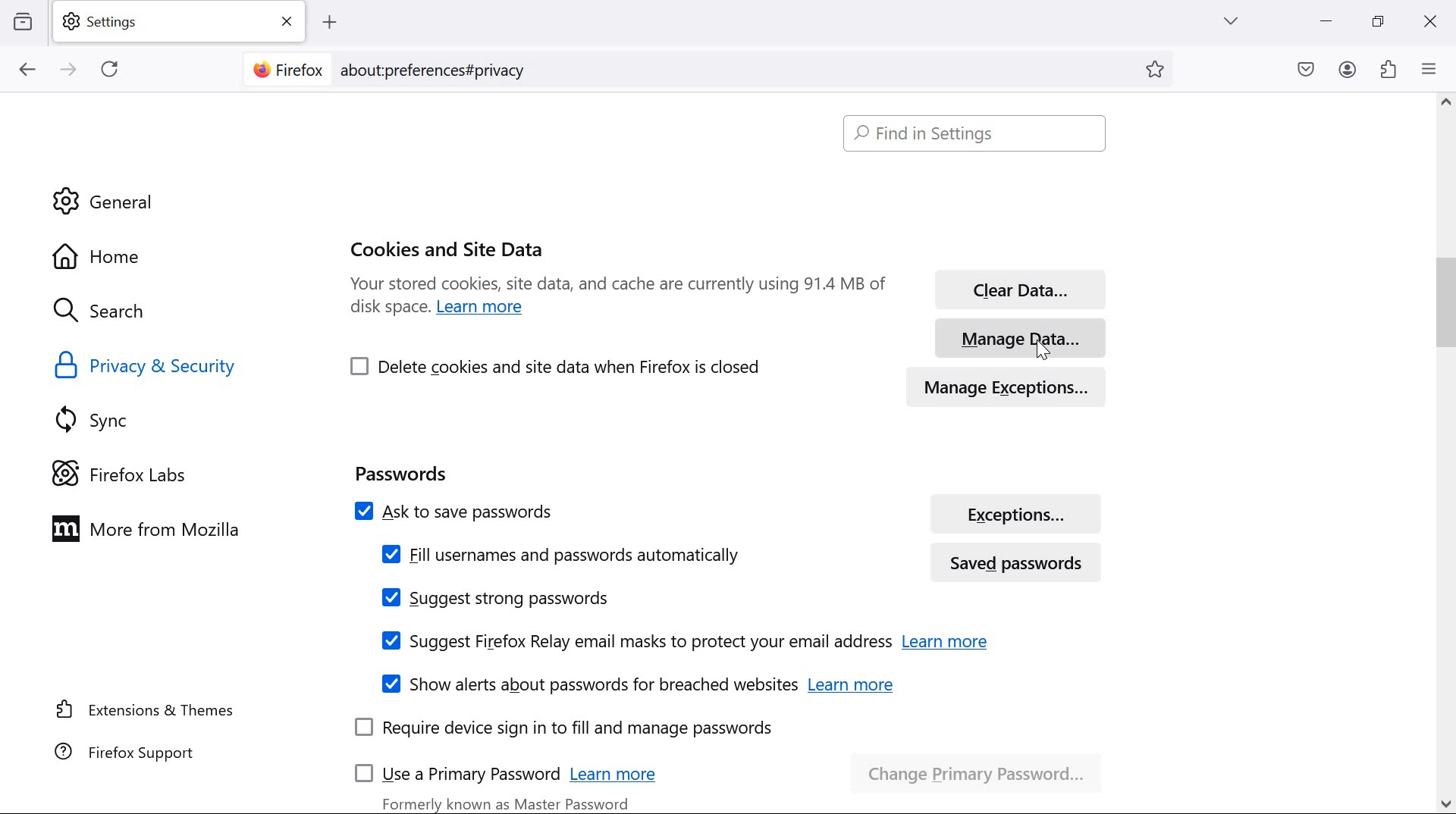 This screenshot has height=814, width=1456. Describe the element at coordinates (557, 365) in the screenshot. I see `Delete cookies and site data when Firefox is closed` at that location.